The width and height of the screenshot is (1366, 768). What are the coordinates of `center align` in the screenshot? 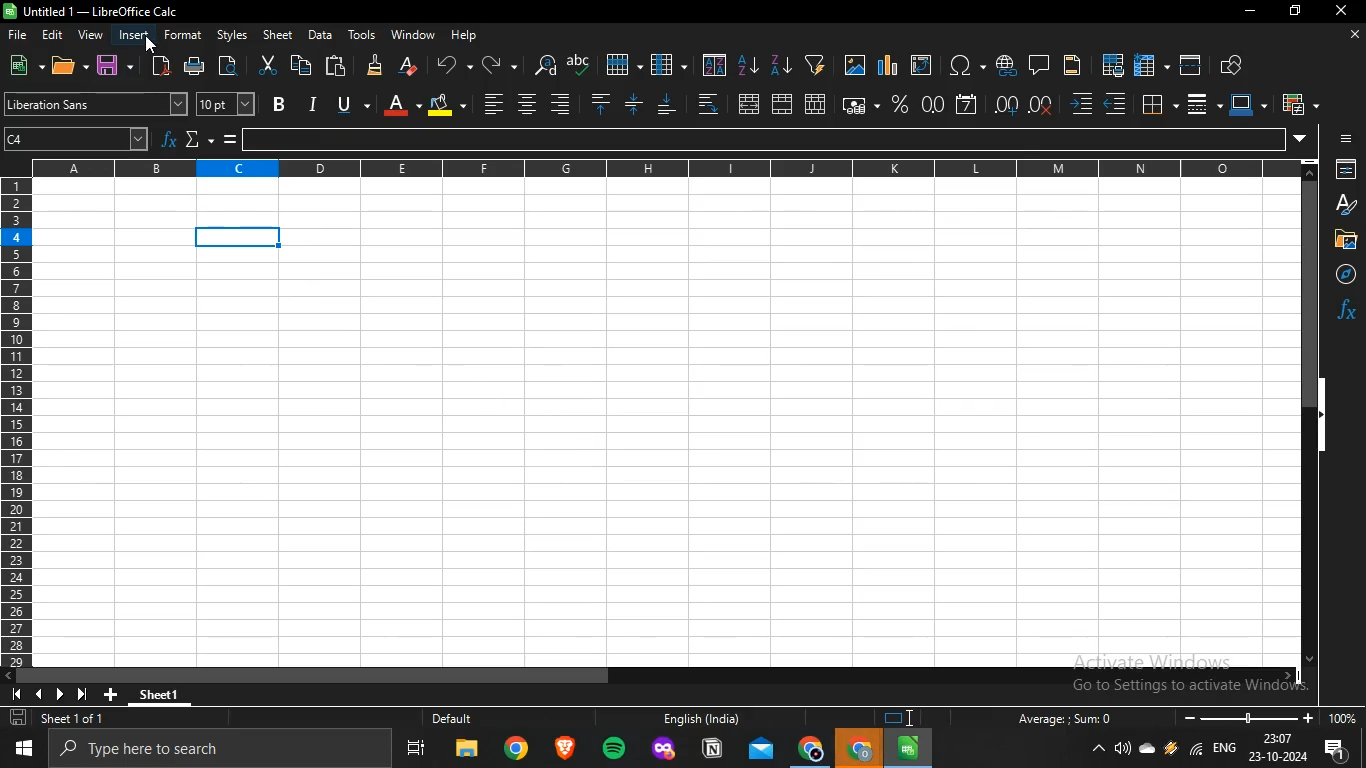 It's located at (525, 104).